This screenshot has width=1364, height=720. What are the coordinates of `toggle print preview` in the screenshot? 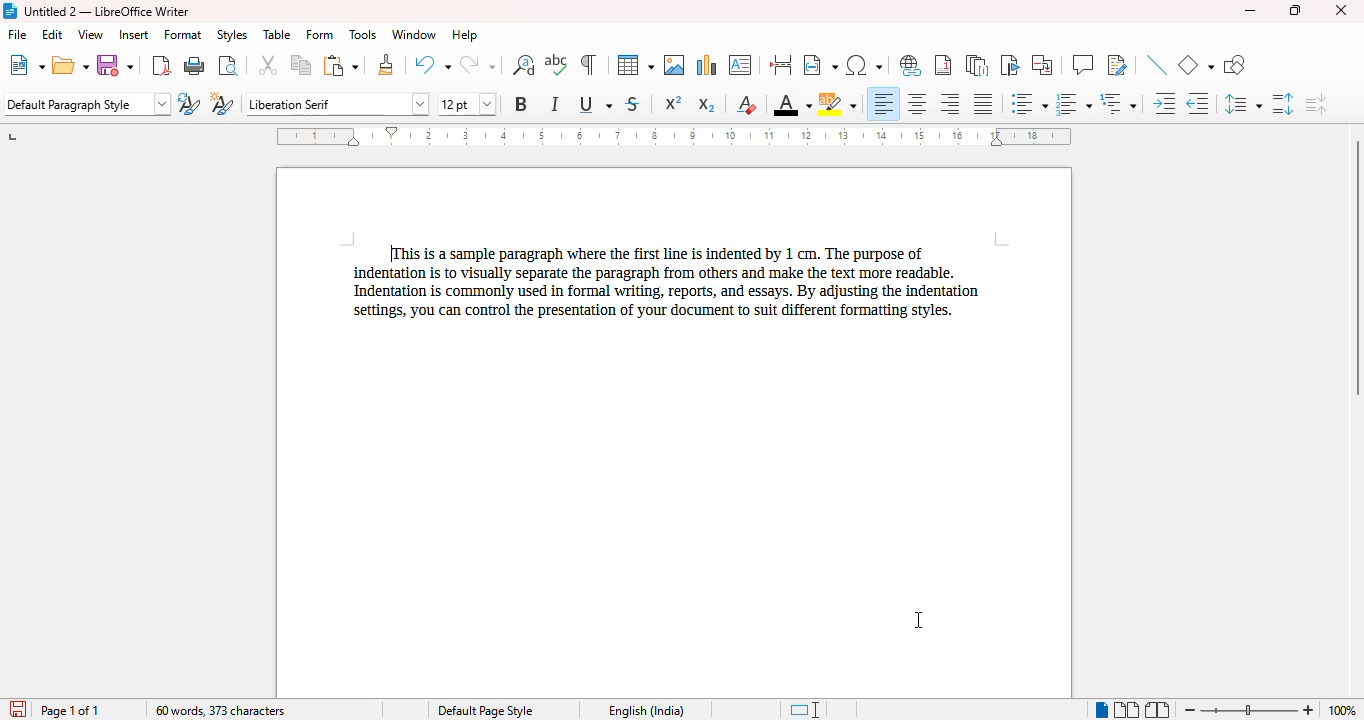 It's located at (228, 65).